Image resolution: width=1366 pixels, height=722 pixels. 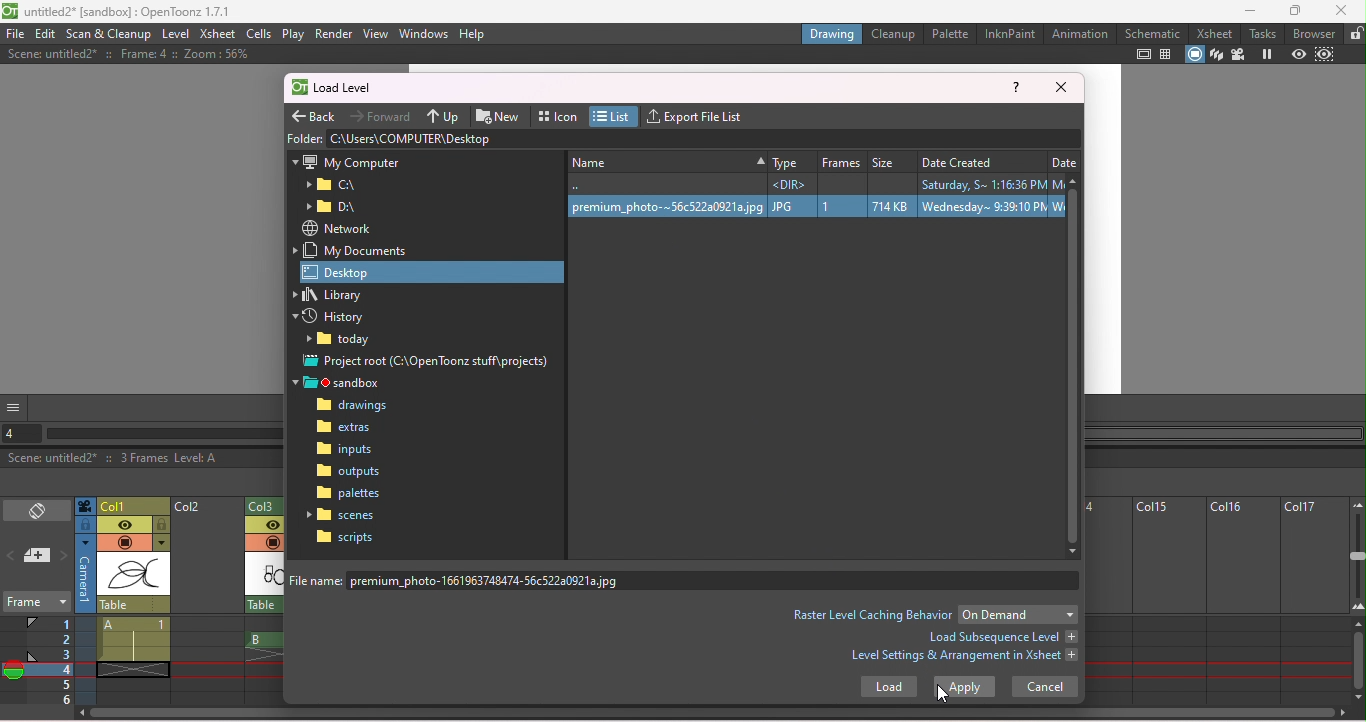 I want to click on file, so click(x=15, y=34).